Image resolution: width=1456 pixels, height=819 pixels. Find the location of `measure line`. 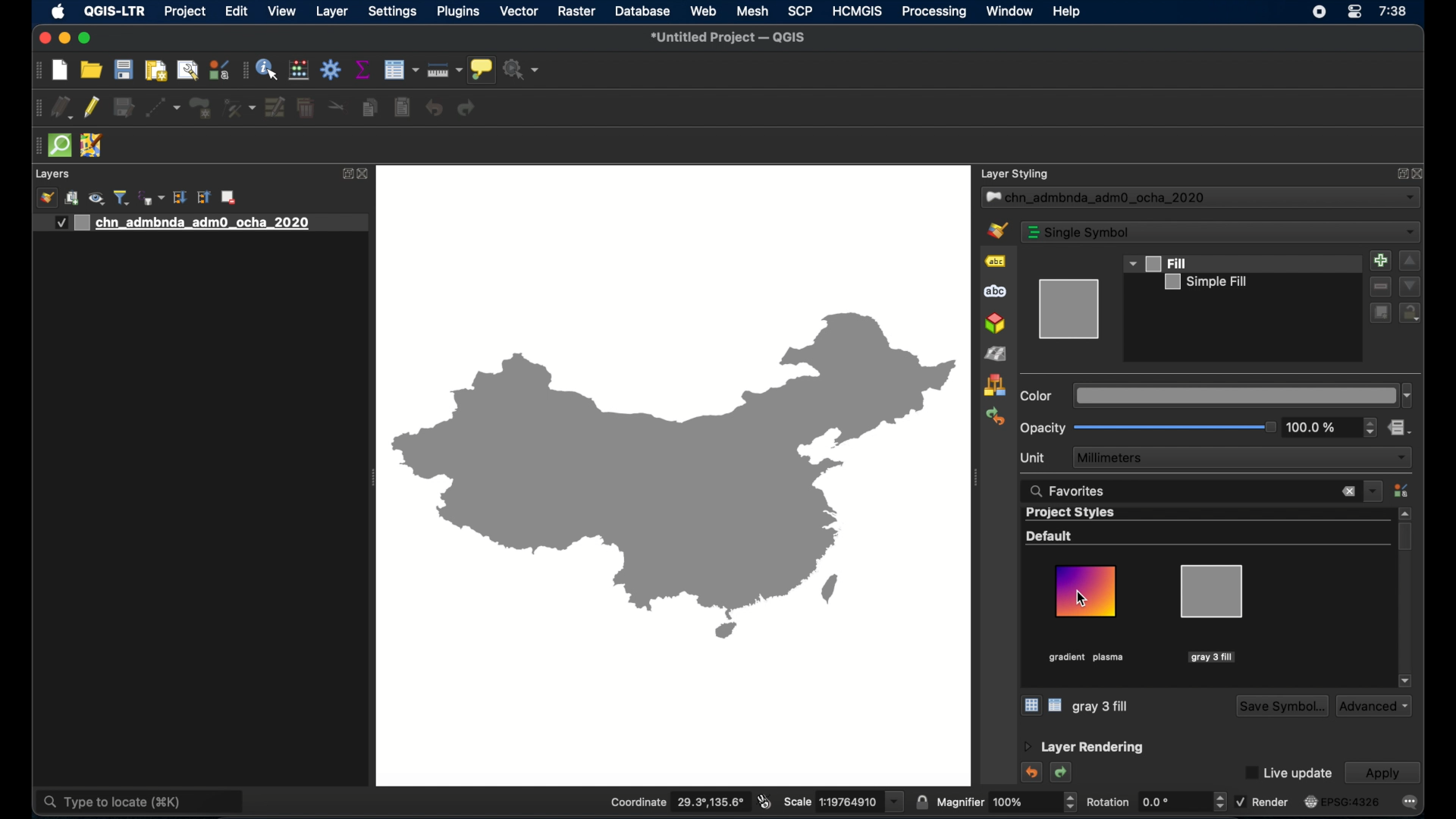

measure line is located at coordinates (444, 70).